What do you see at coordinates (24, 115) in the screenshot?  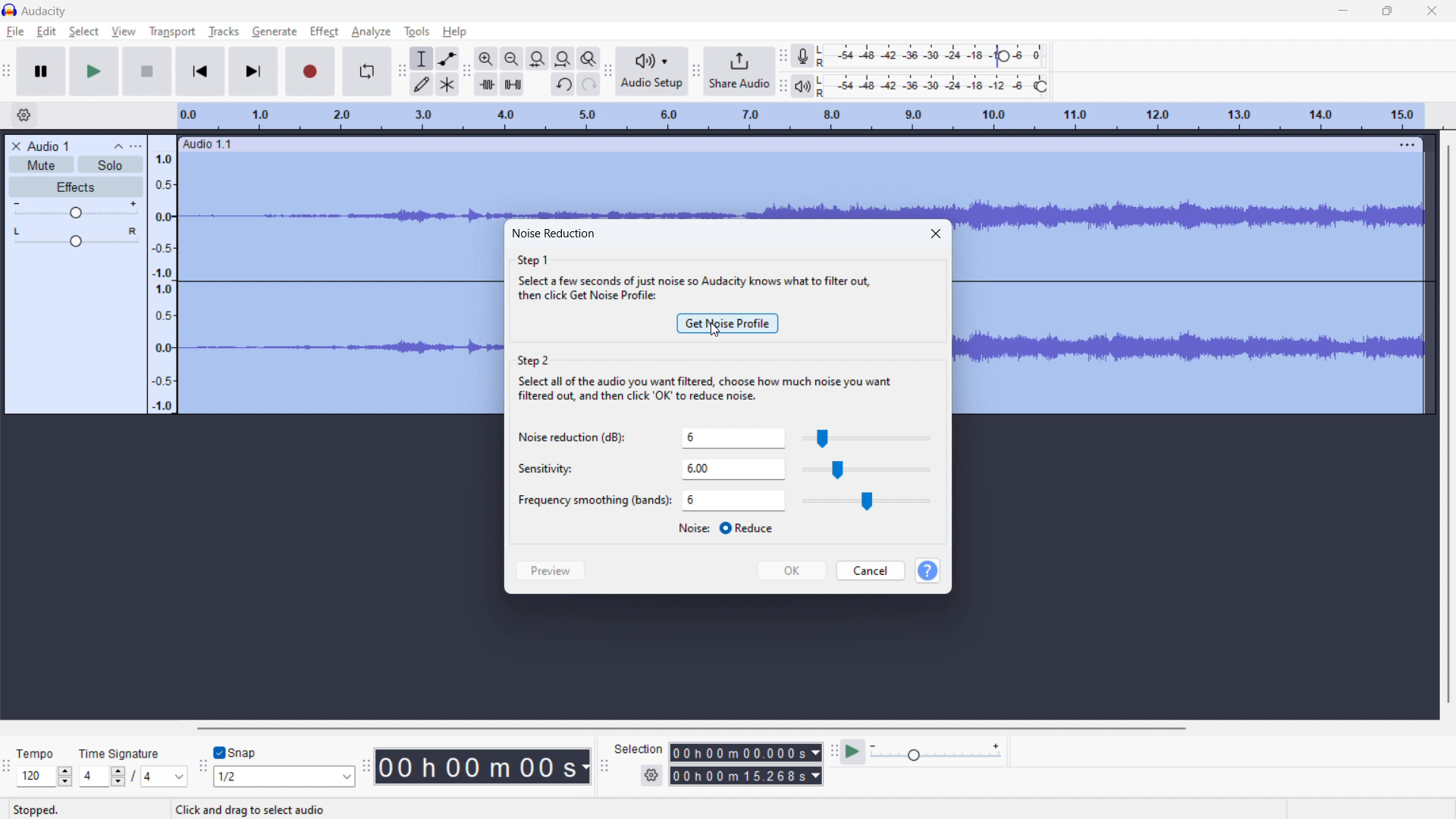 I see `timeline settings` at bounding box center [24, 115].